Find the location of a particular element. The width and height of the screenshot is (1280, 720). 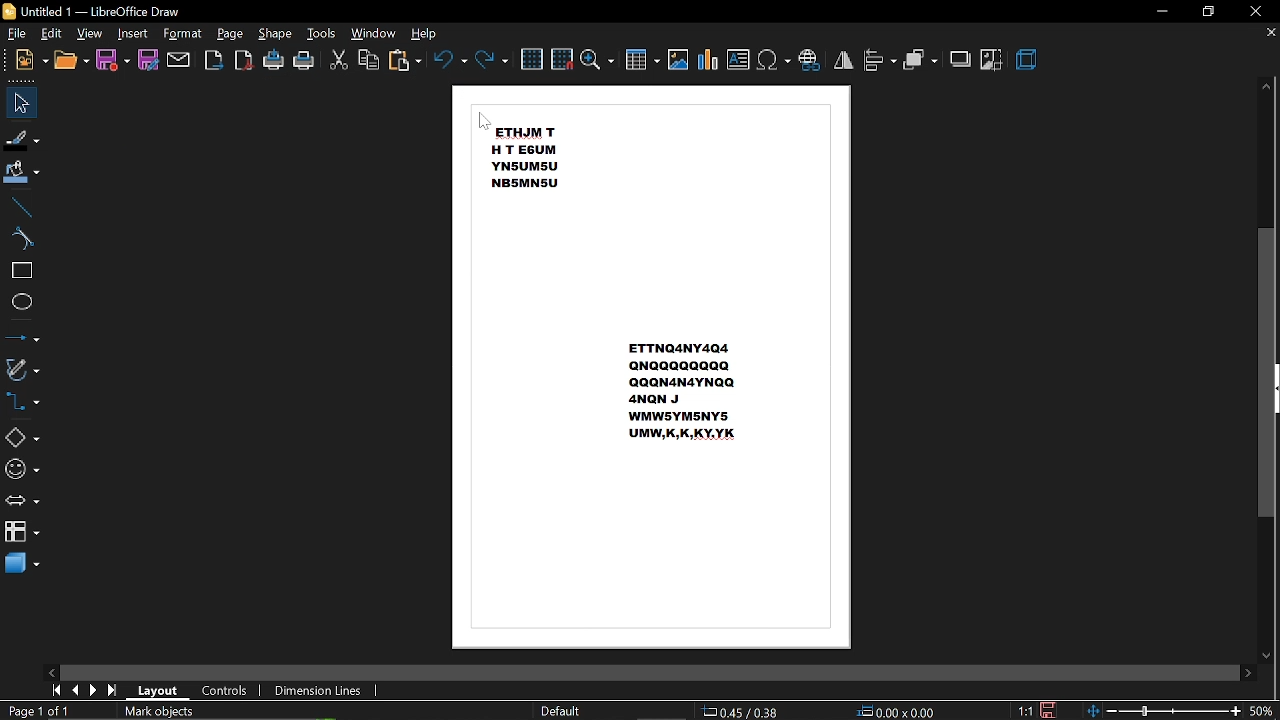

fill color is located at coordinates (24, 173).